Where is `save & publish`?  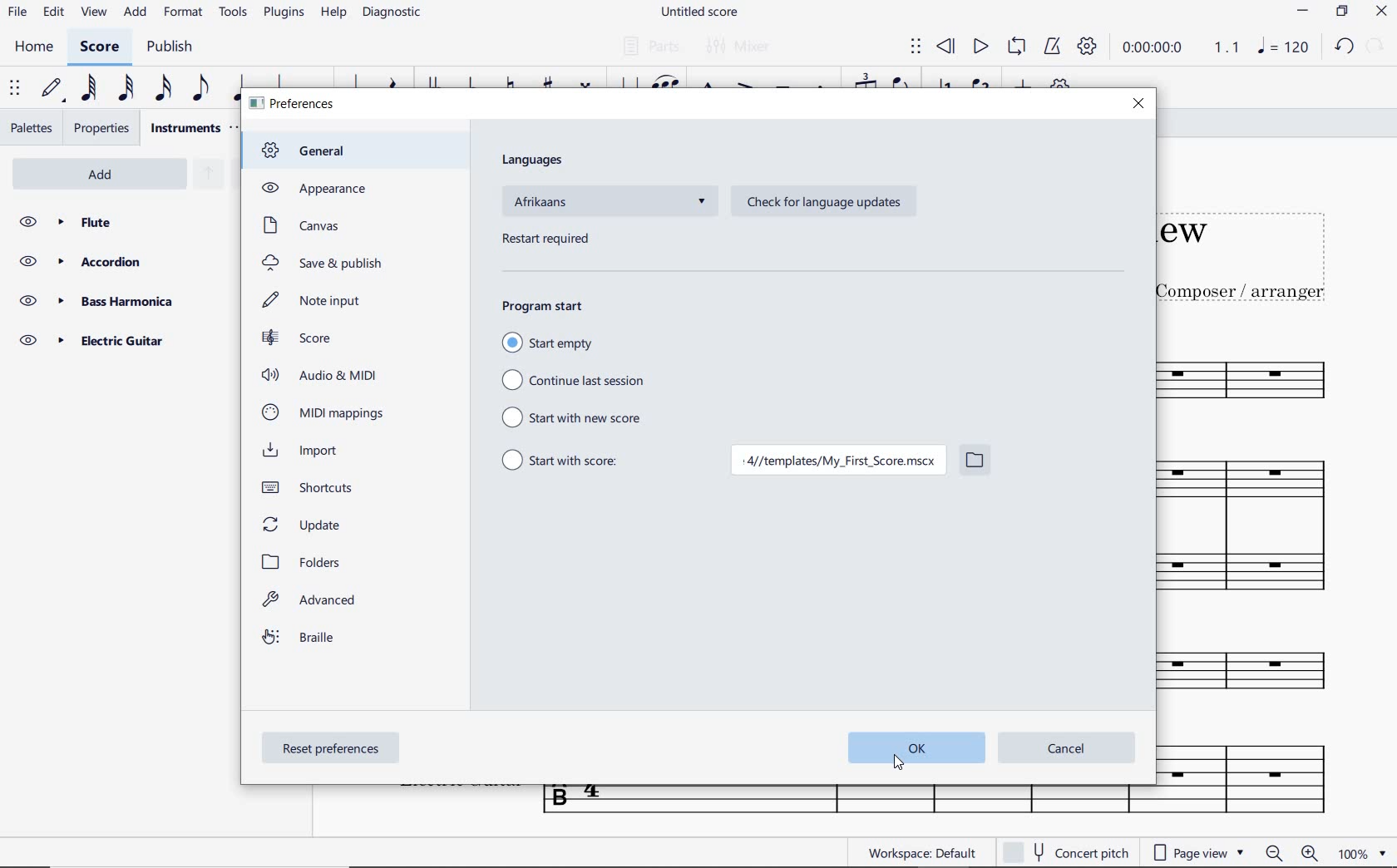 save & publish is located at coordinates (324, 264).